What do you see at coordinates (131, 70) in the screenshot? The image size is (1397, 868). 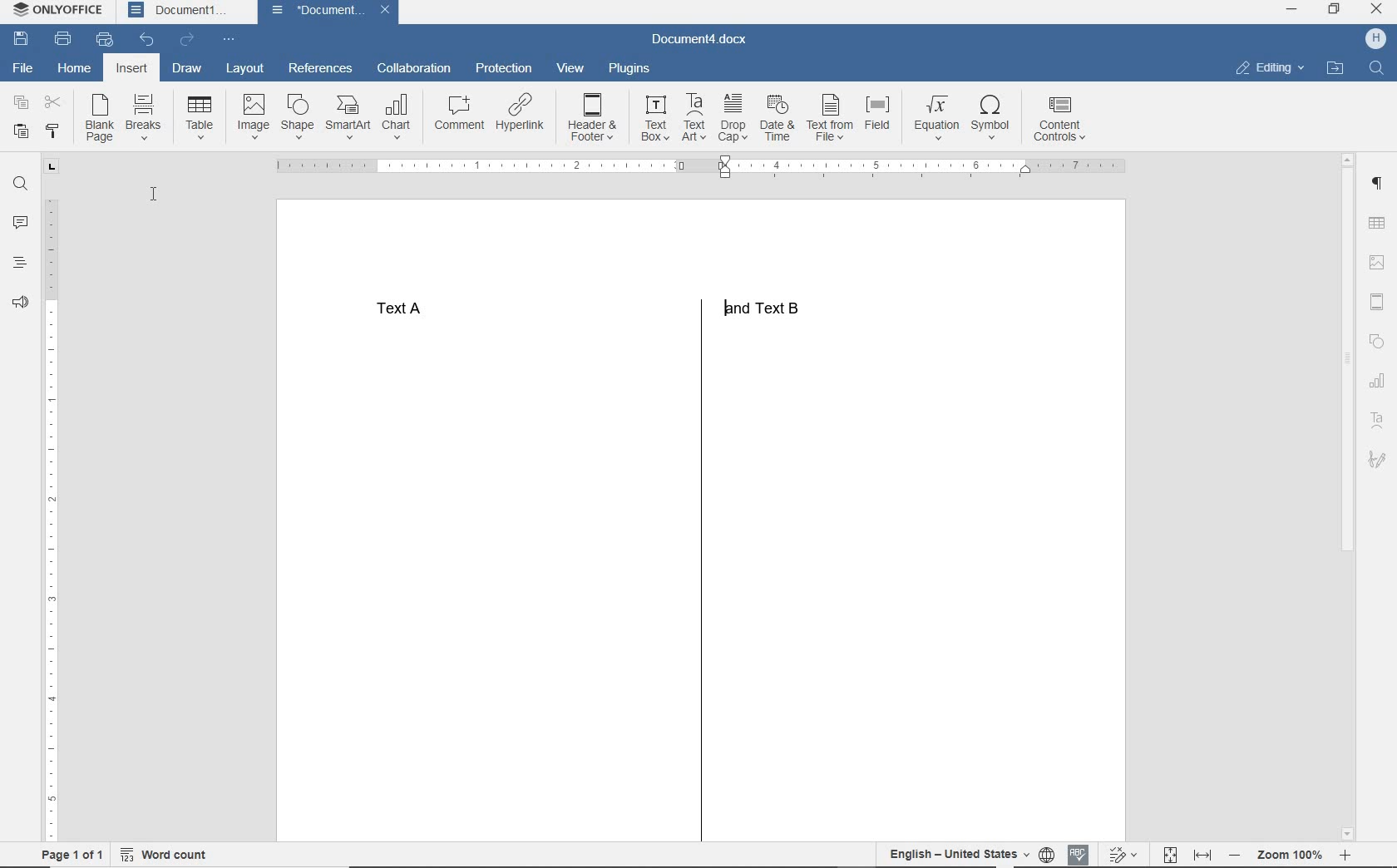 I see `INSERT` at bounding box center [131, 70].